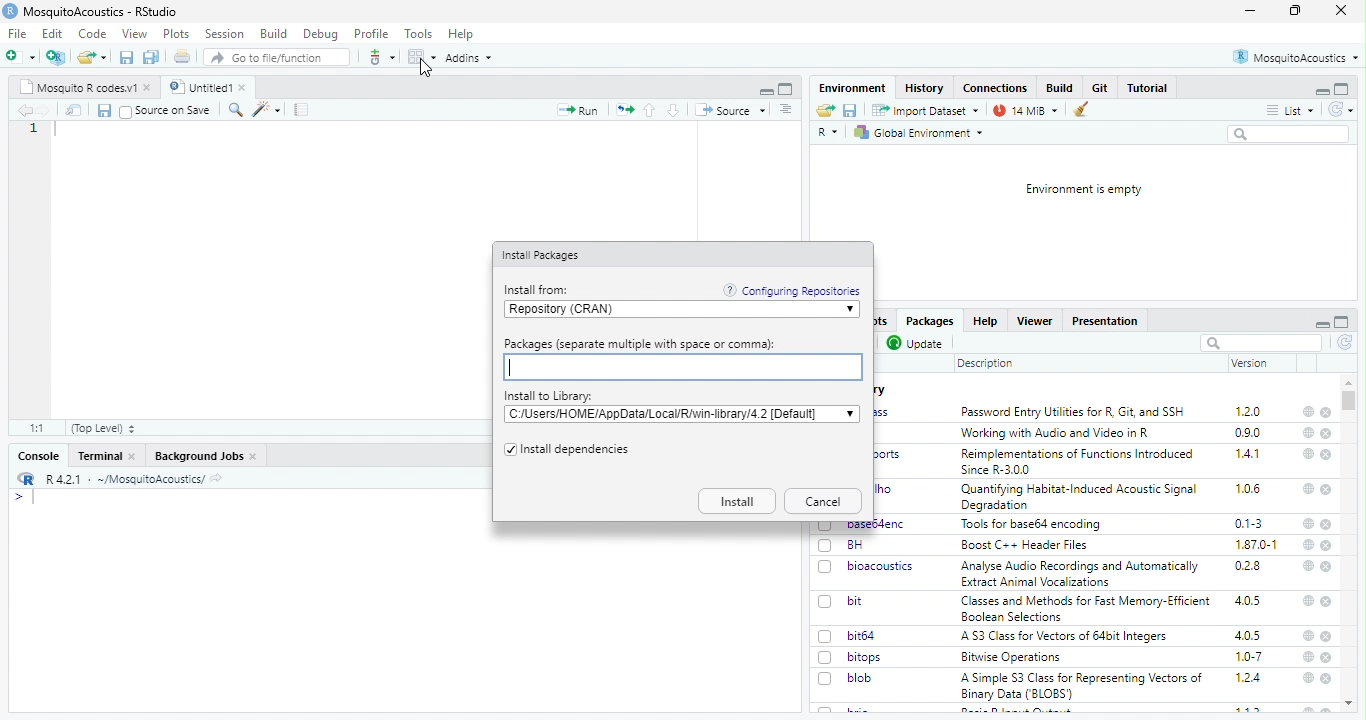 The height and width of the screenshot is (720, 1366). I want to click on update, so click(917, 344).